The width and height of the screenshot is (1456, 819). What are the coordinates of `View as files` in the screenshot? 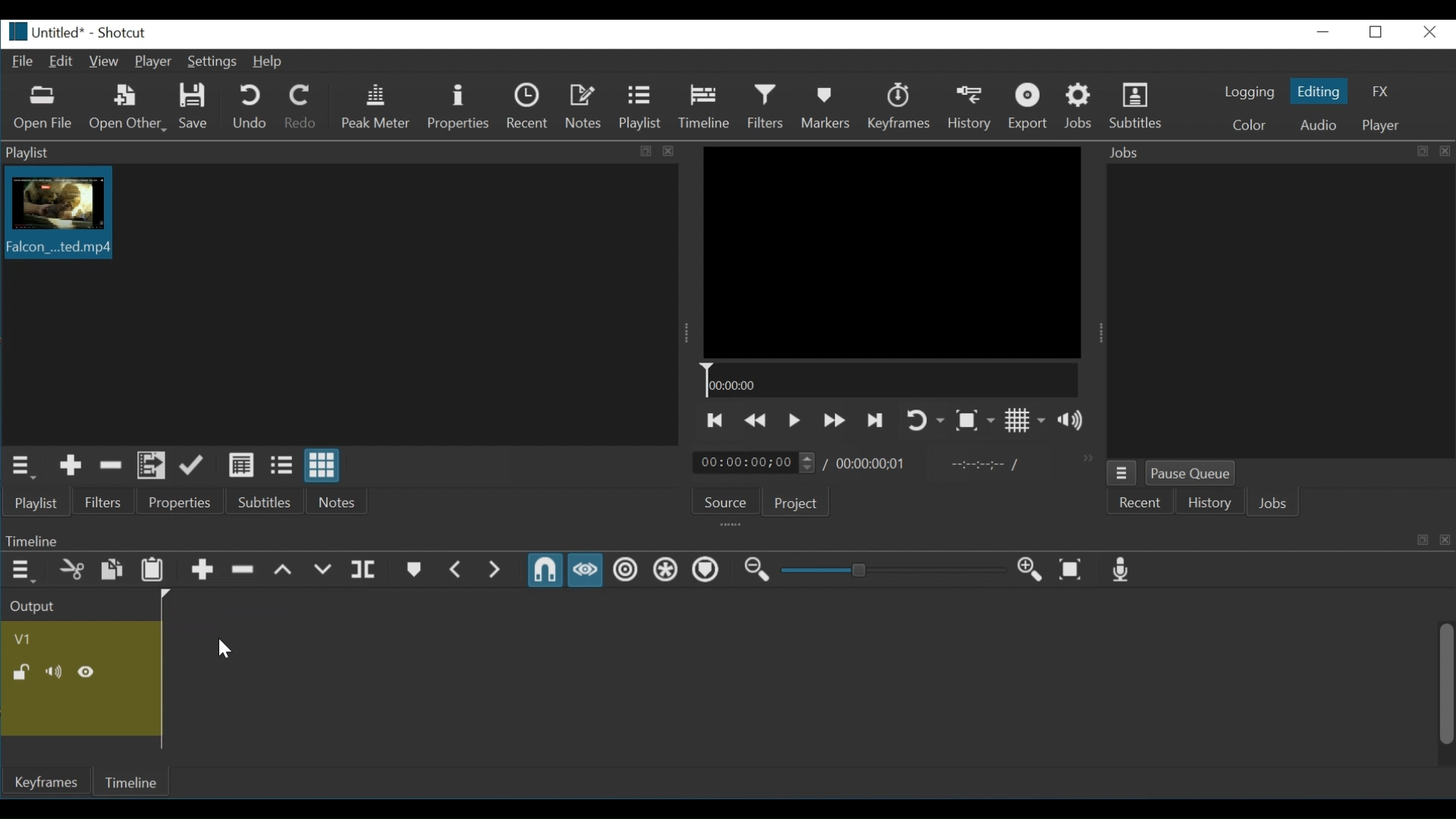 It's located at (281, 466).